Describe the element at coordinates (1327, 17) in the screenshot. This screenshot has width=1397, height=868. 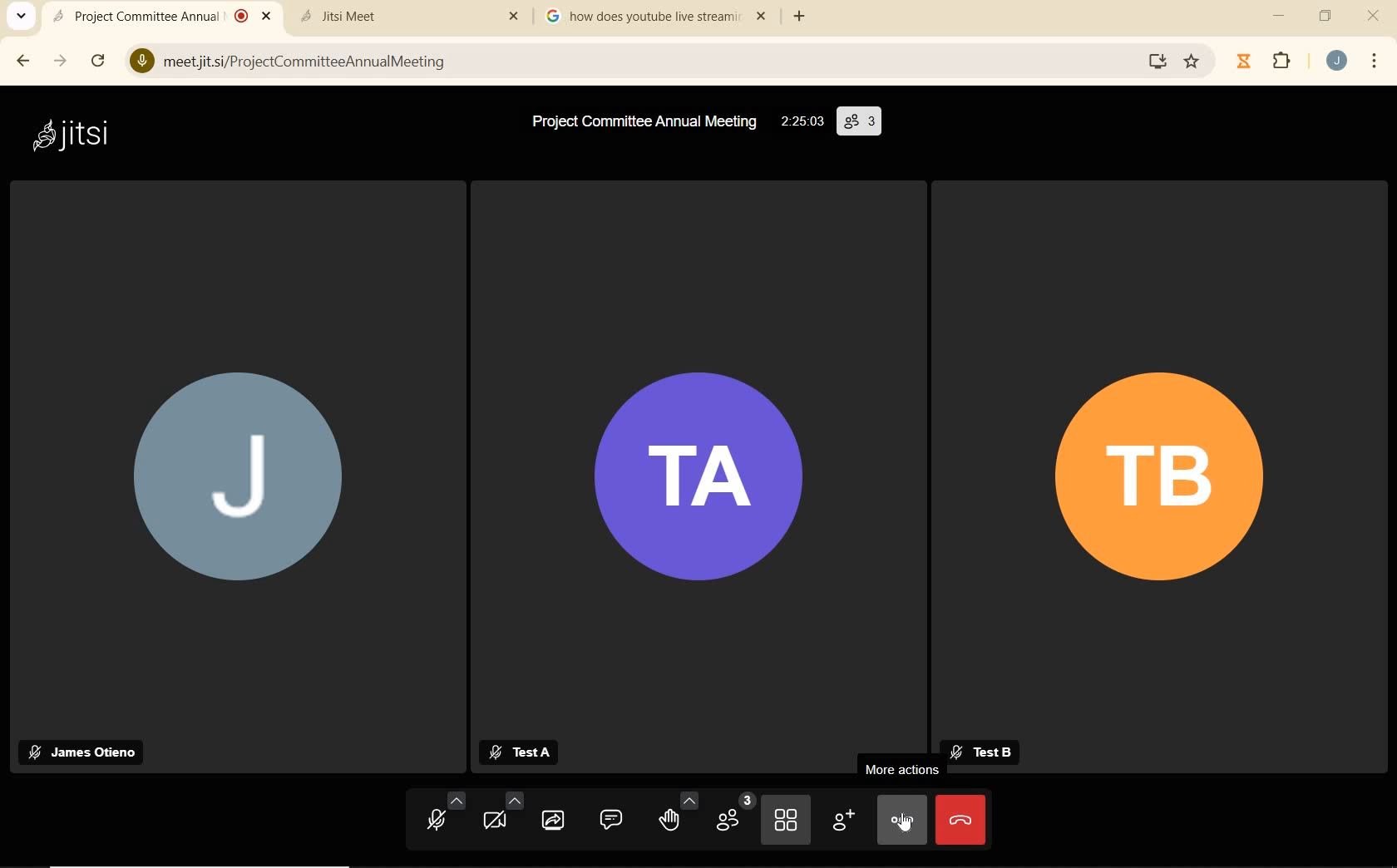
I see `restore down` at that location.